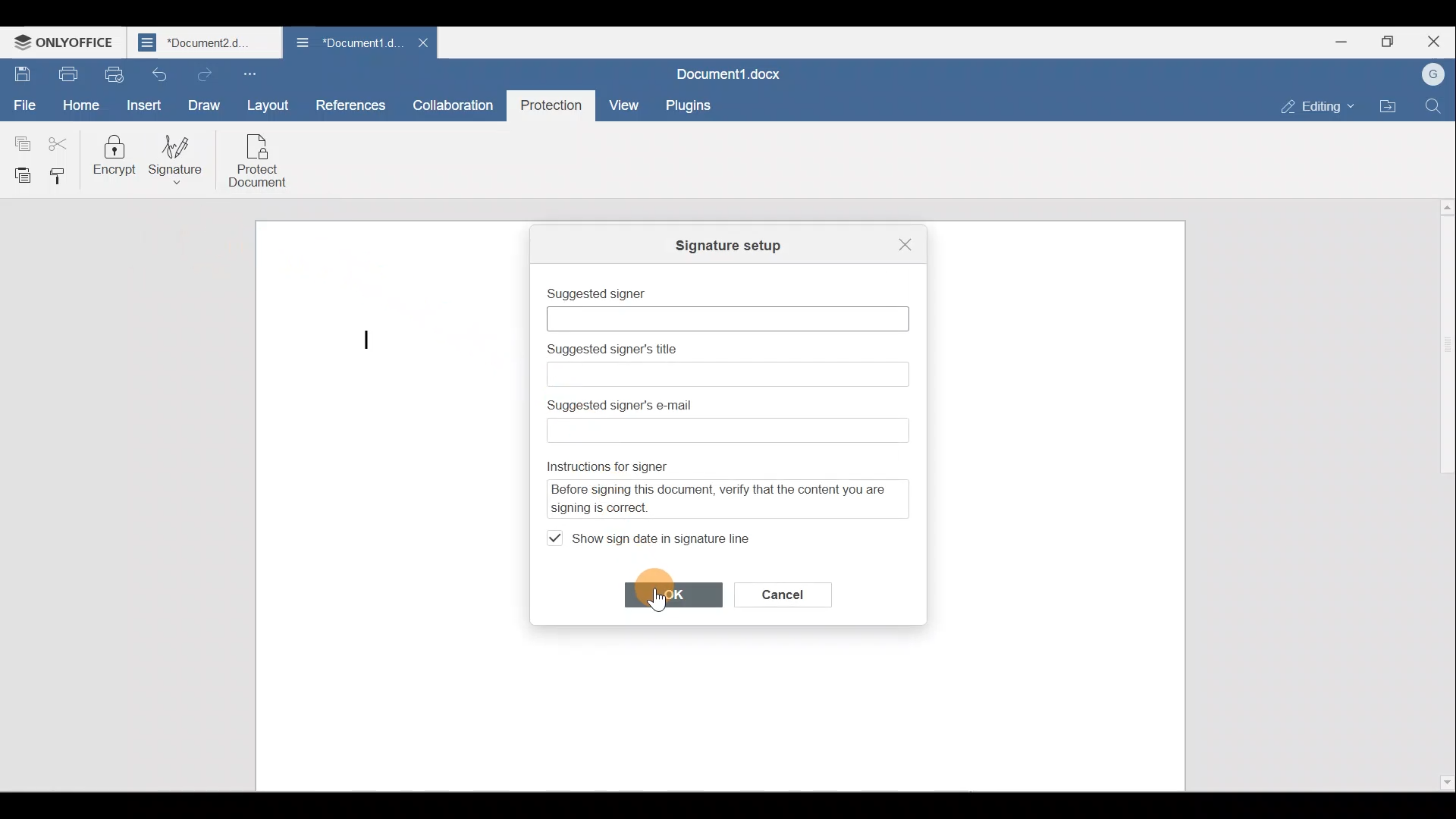  What do you see at coordinates (60, 140) in the screenshot?
I see `Cut` at bounding box center [60, 140].